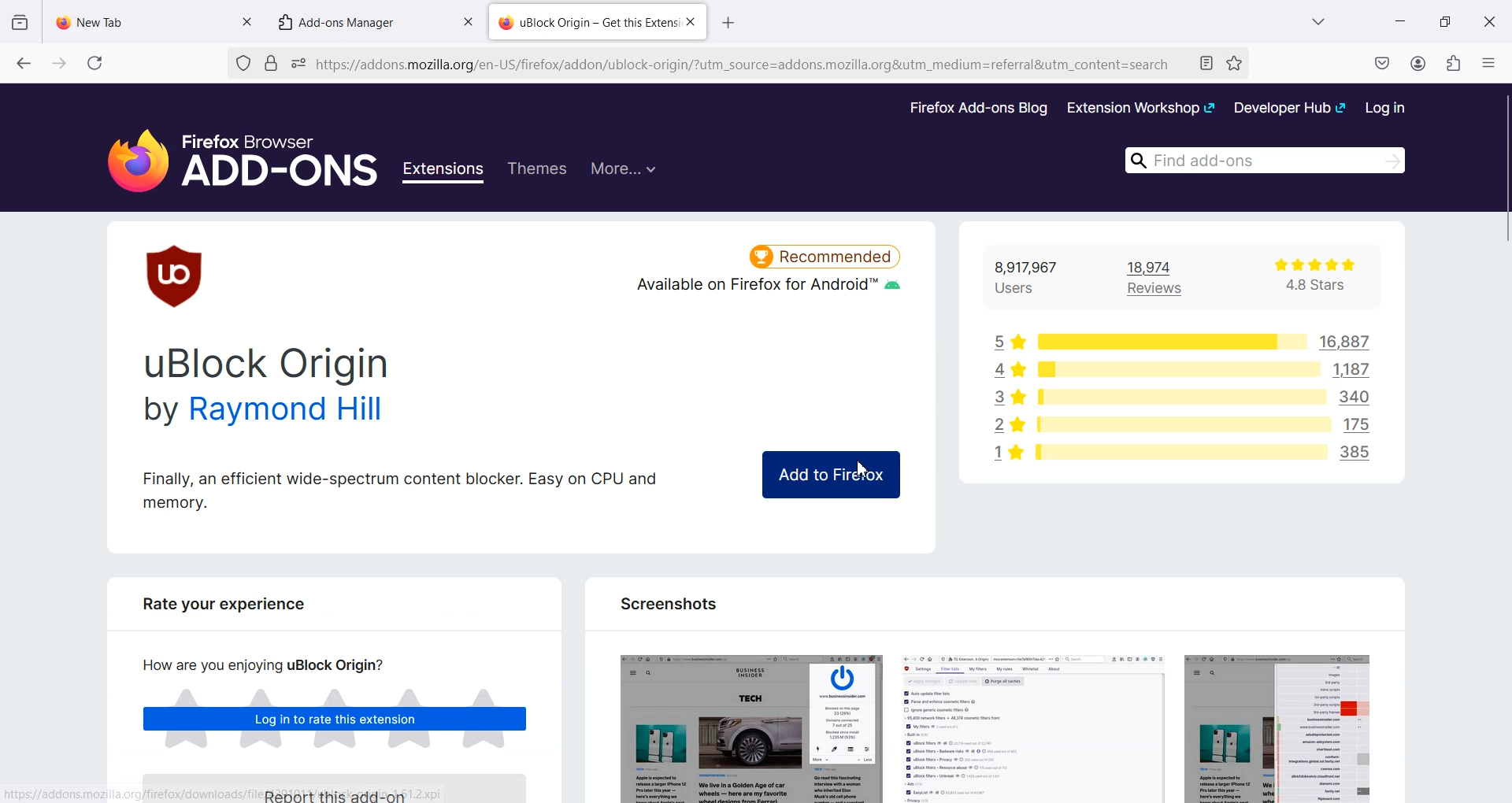  I want to click on screenshots, so click(992, 722).